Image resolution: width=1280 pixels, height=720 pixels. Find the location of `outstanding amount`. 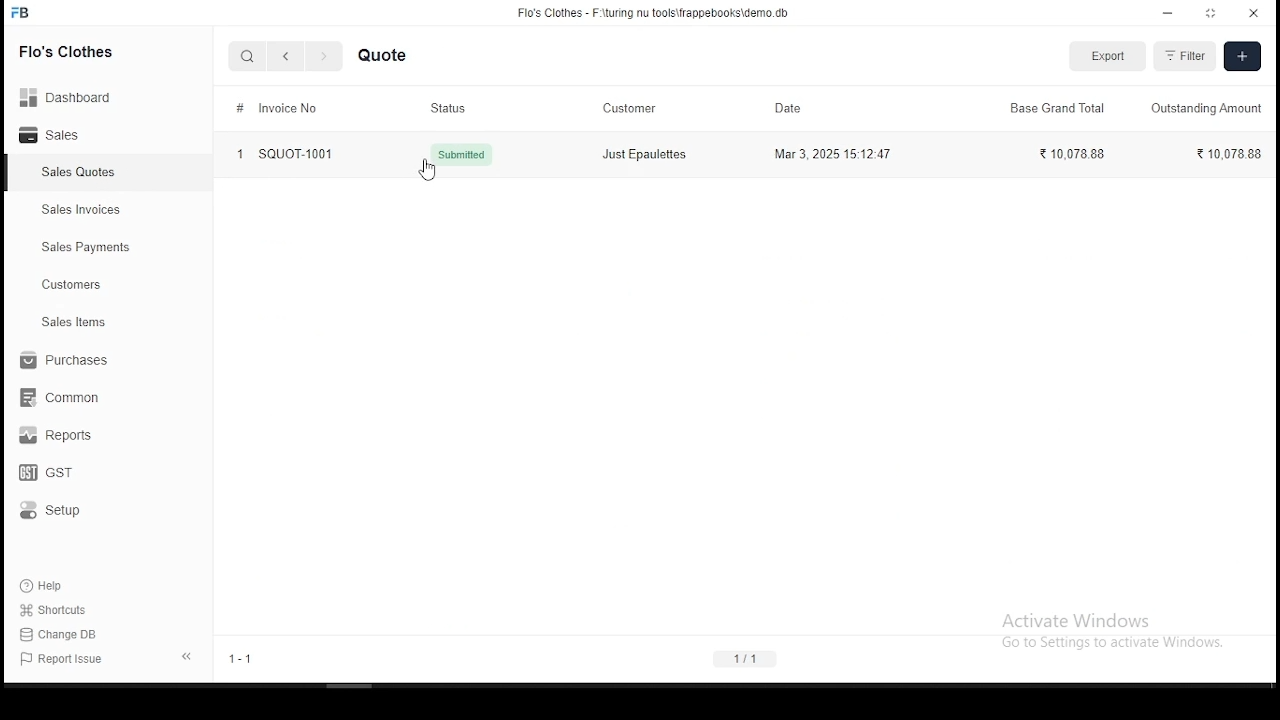

outstanding amount is located at coordinates (1202, 111).